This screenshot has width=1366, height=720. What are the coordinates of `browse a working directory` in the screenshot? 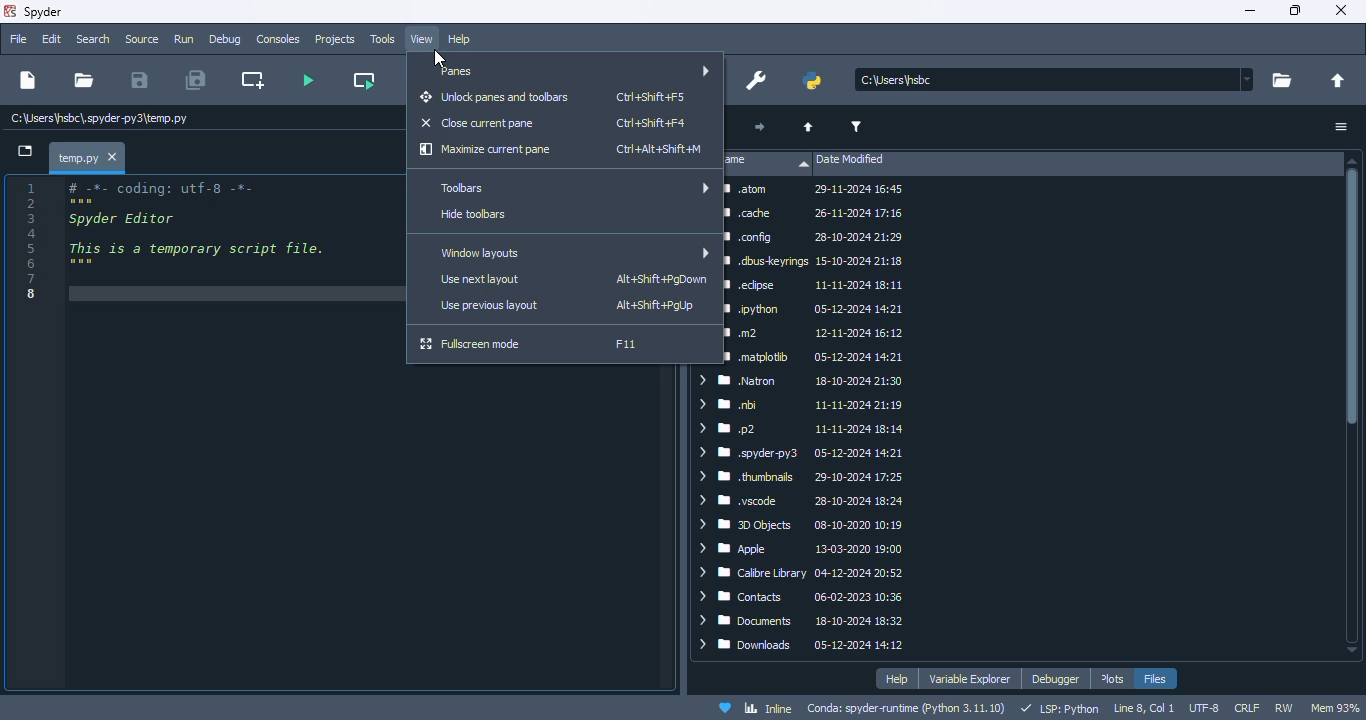 It's located at (1281, 81).